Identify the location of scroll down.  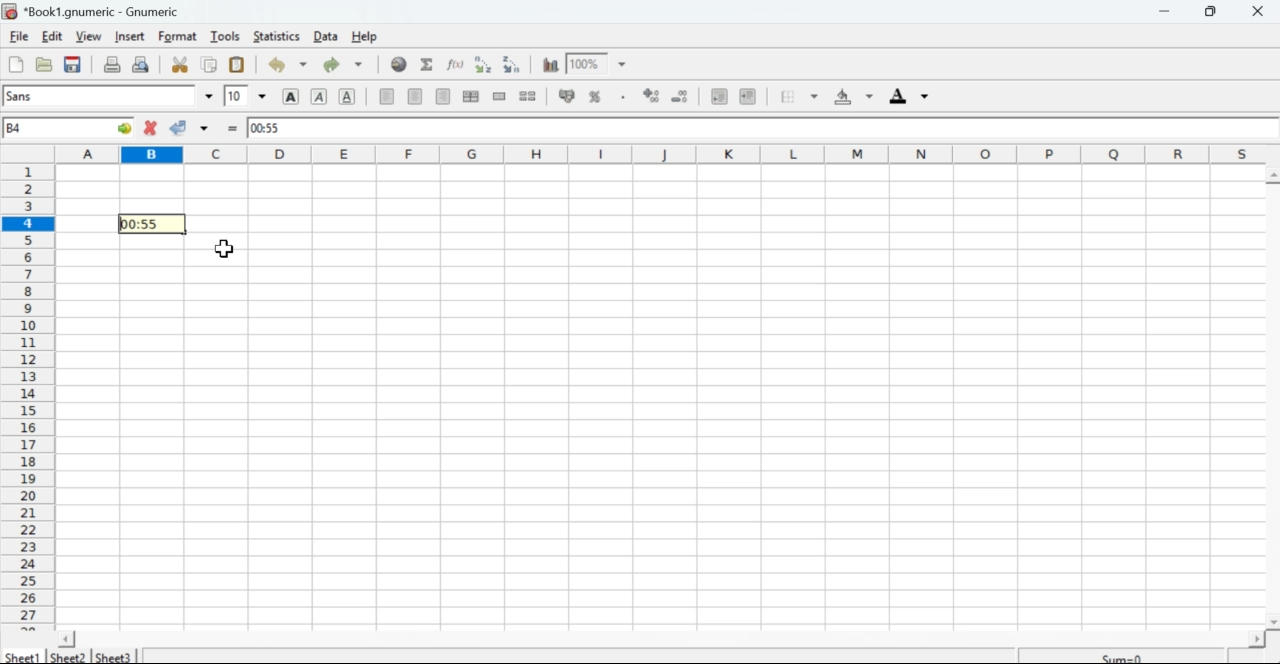
(1272, 623).